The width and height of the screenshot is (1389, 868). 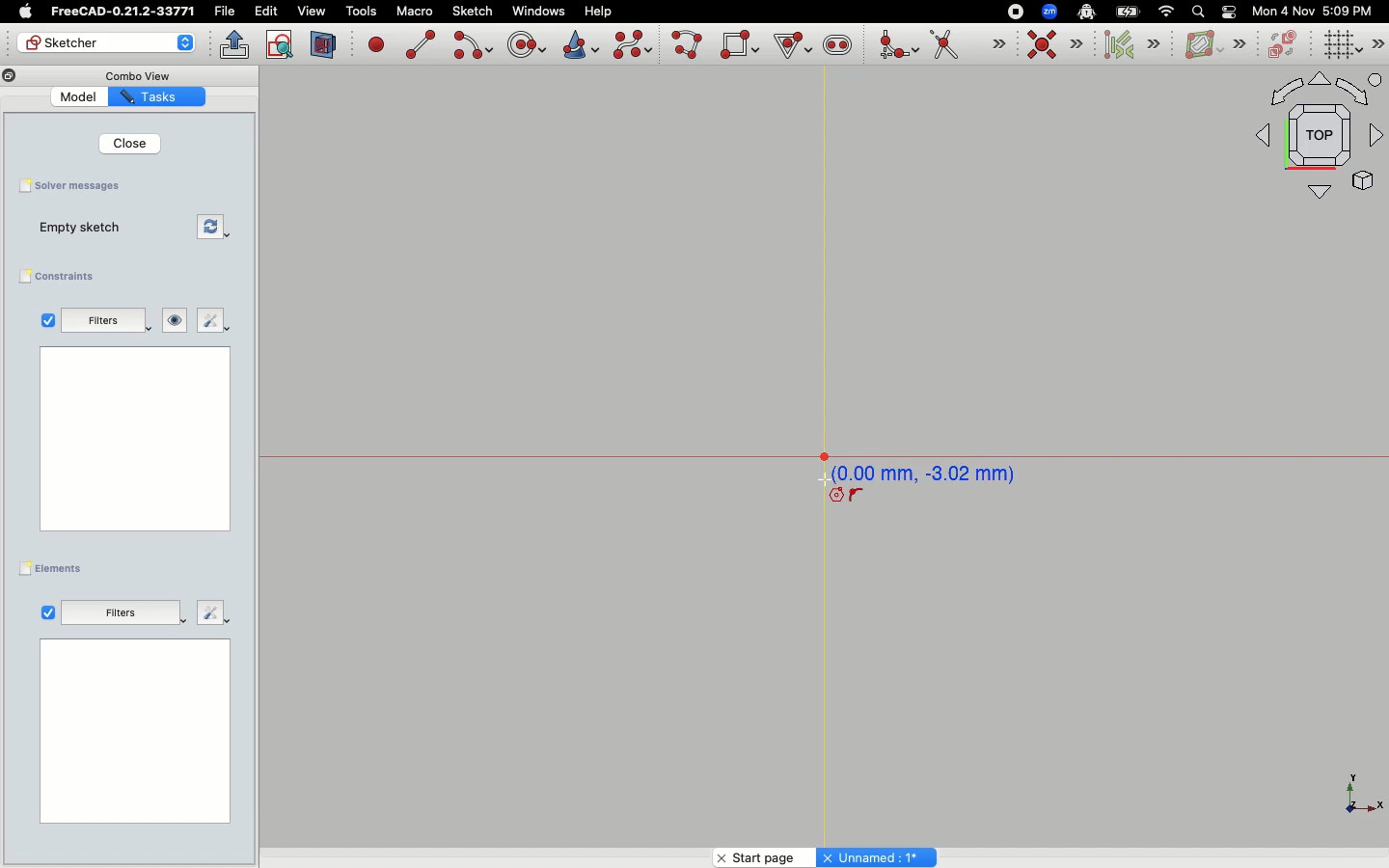 I want to click on record, so click(x=1011, y=11).